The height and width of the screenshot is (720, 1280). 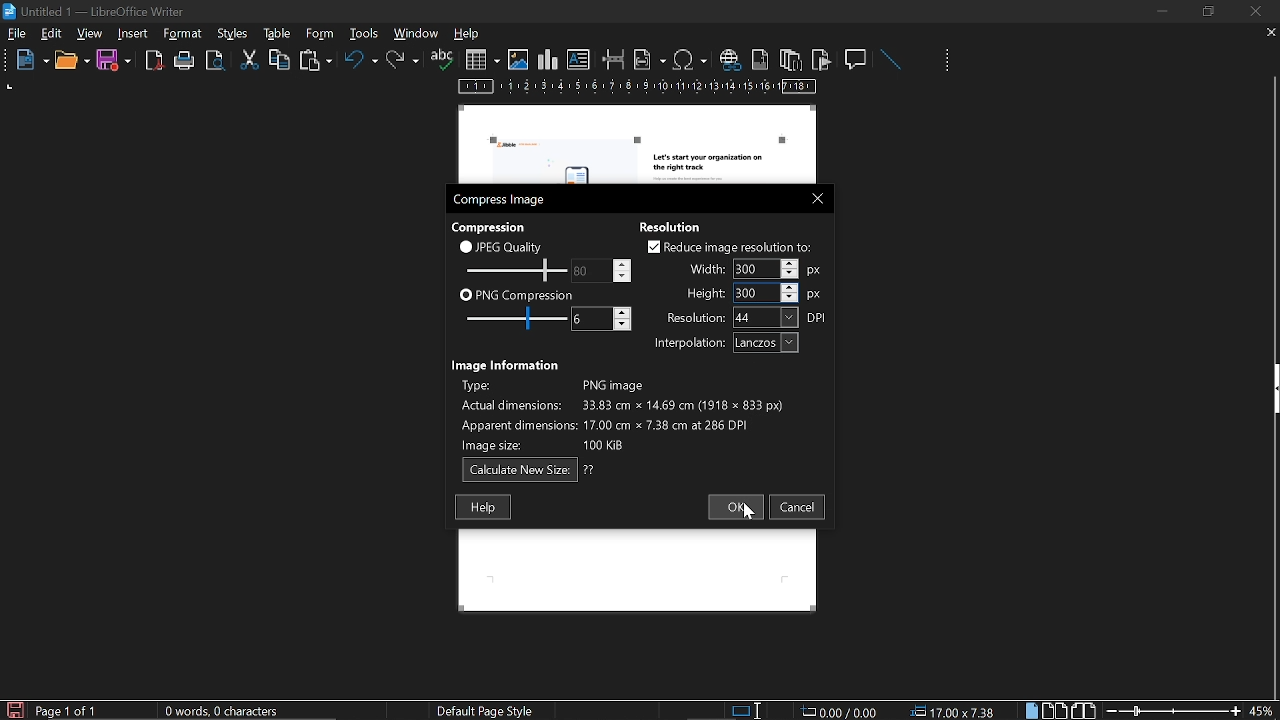 I want to click on undo, so click(x=361, y=63).